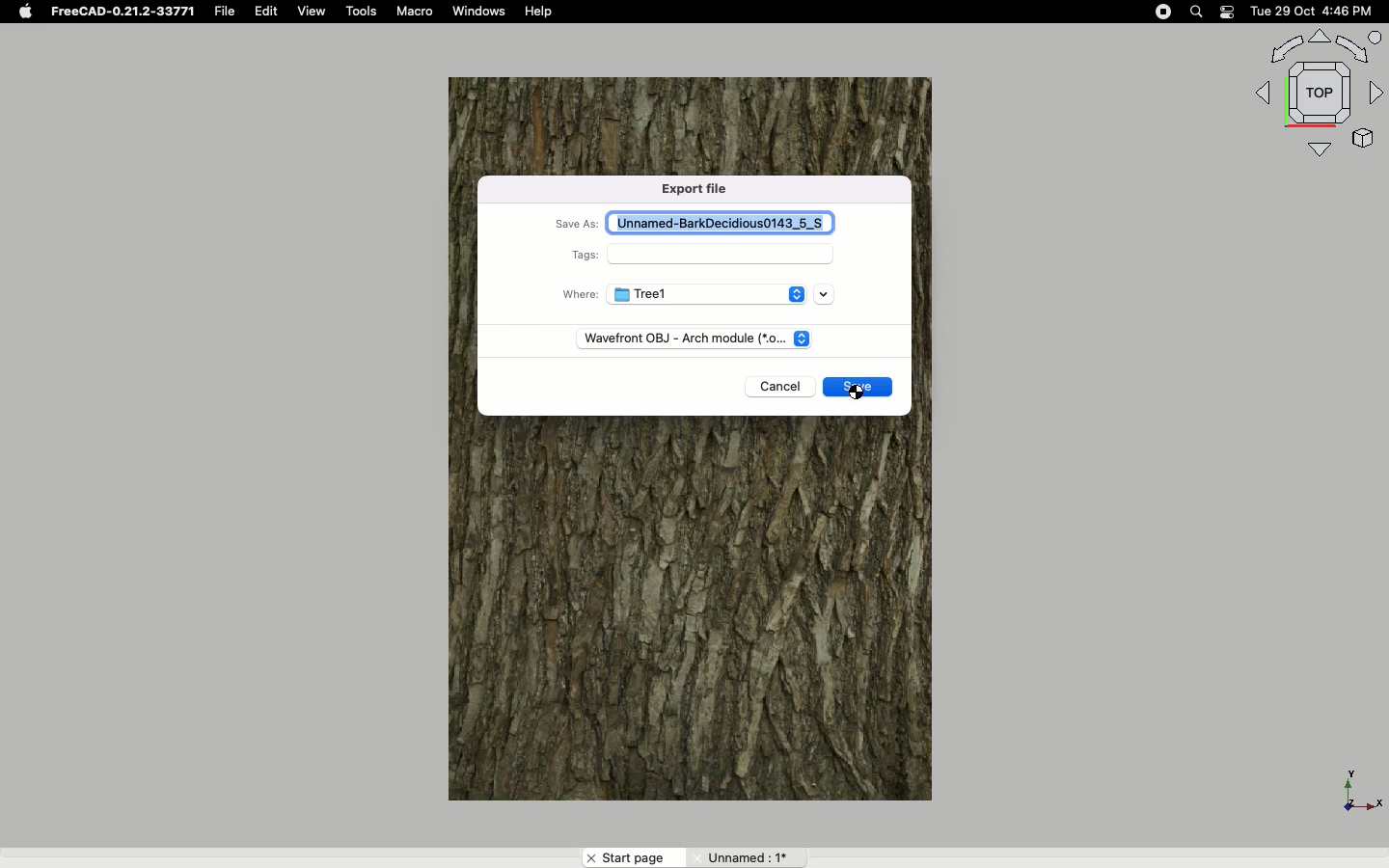  I want to click on Save as, so click(578, 226).